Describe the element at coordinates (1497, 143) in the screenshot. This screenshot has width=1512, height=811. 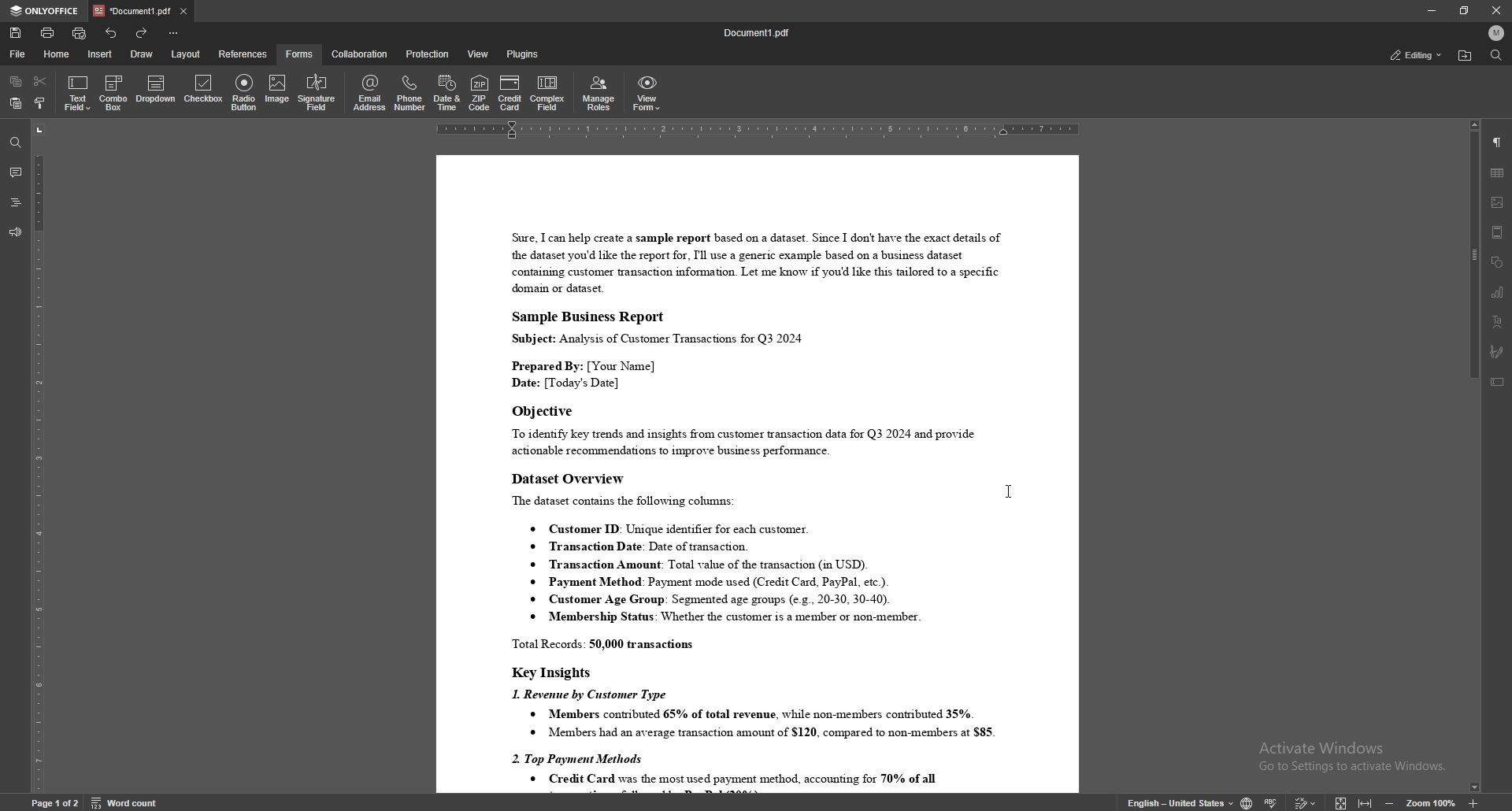
I see `paragraph` at that location.